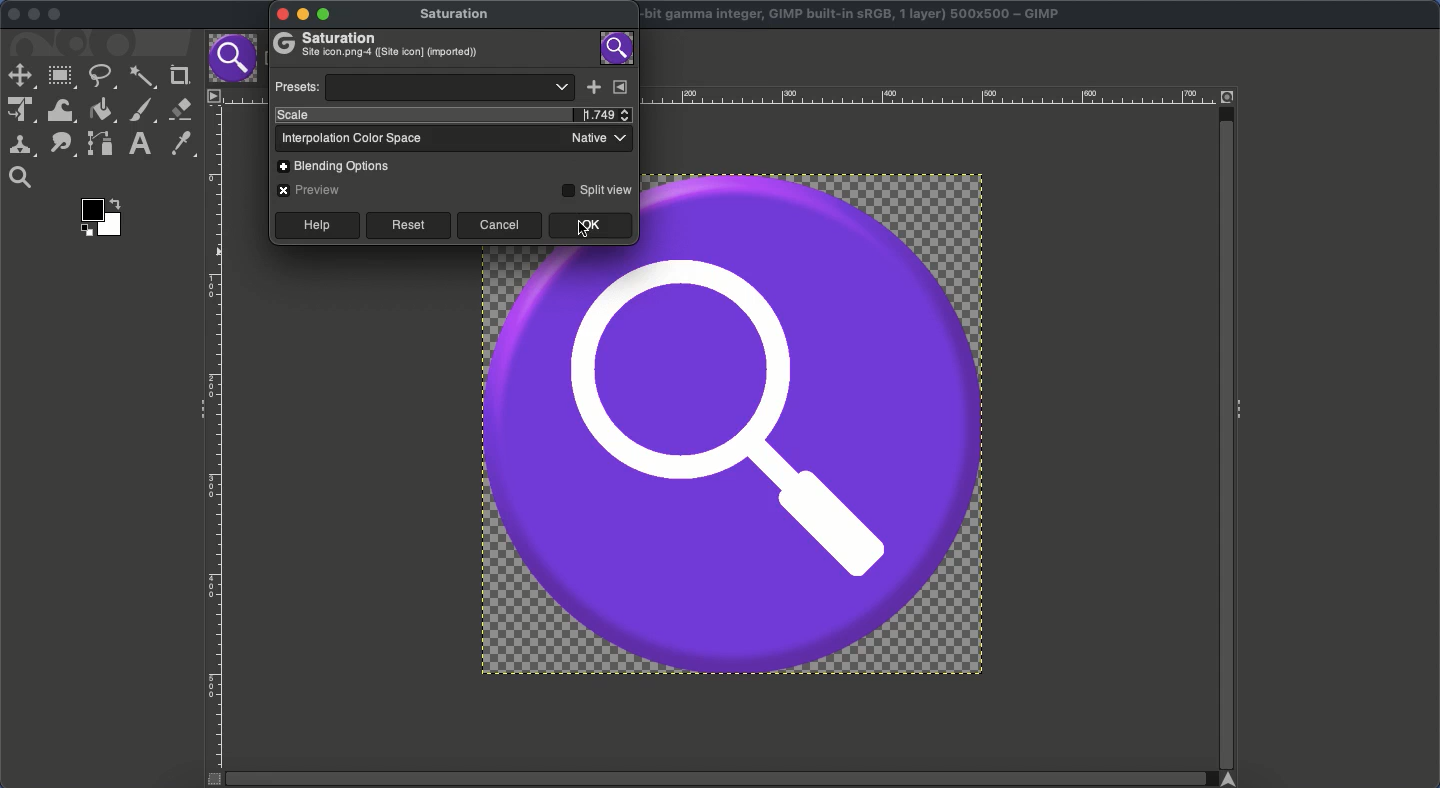 The height and width of the screenshot is (788, 1440). I want to click on Saturation, so click(378, 46).